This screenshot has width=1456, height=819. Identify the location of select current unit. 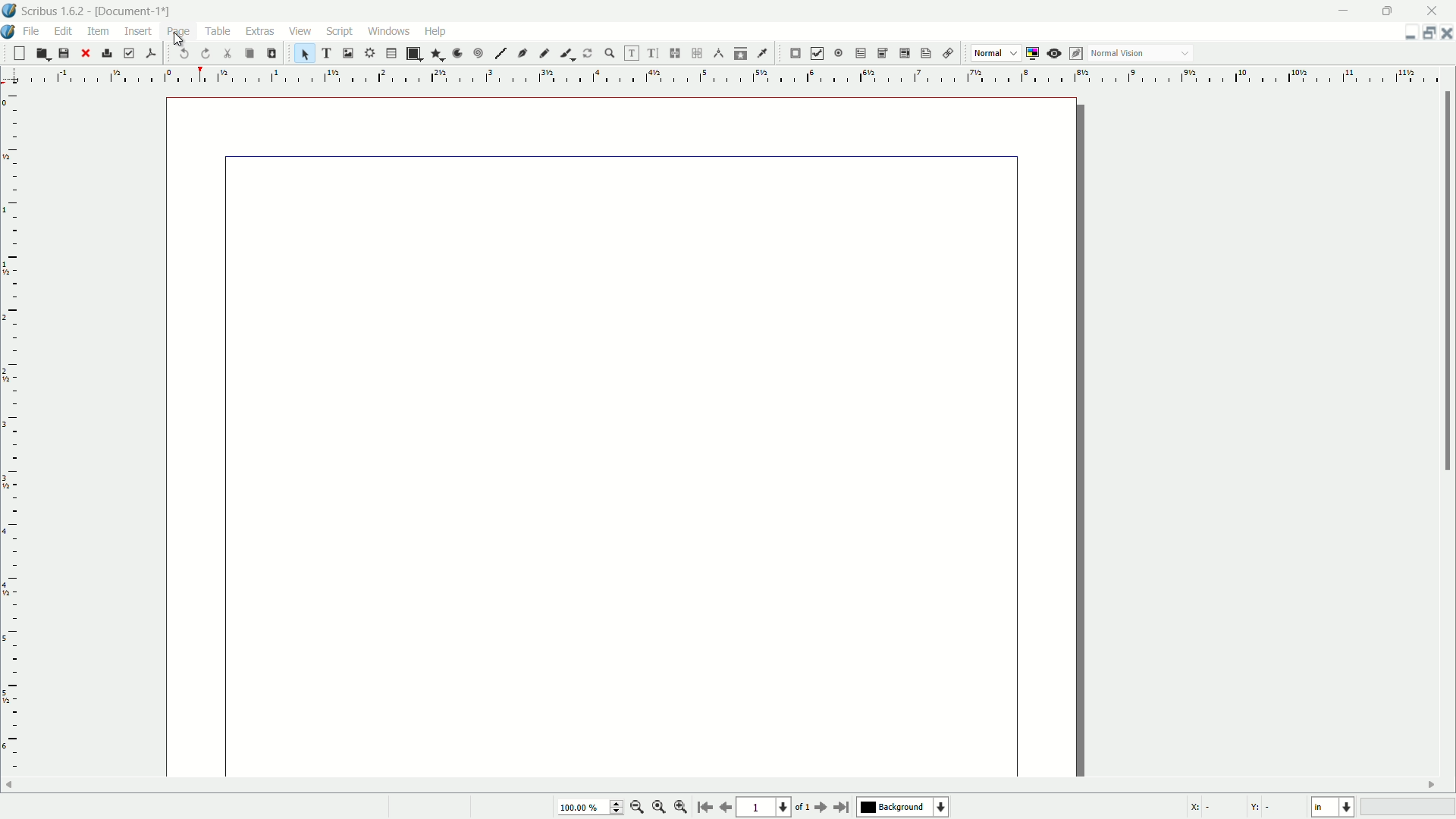
(1332, 808).